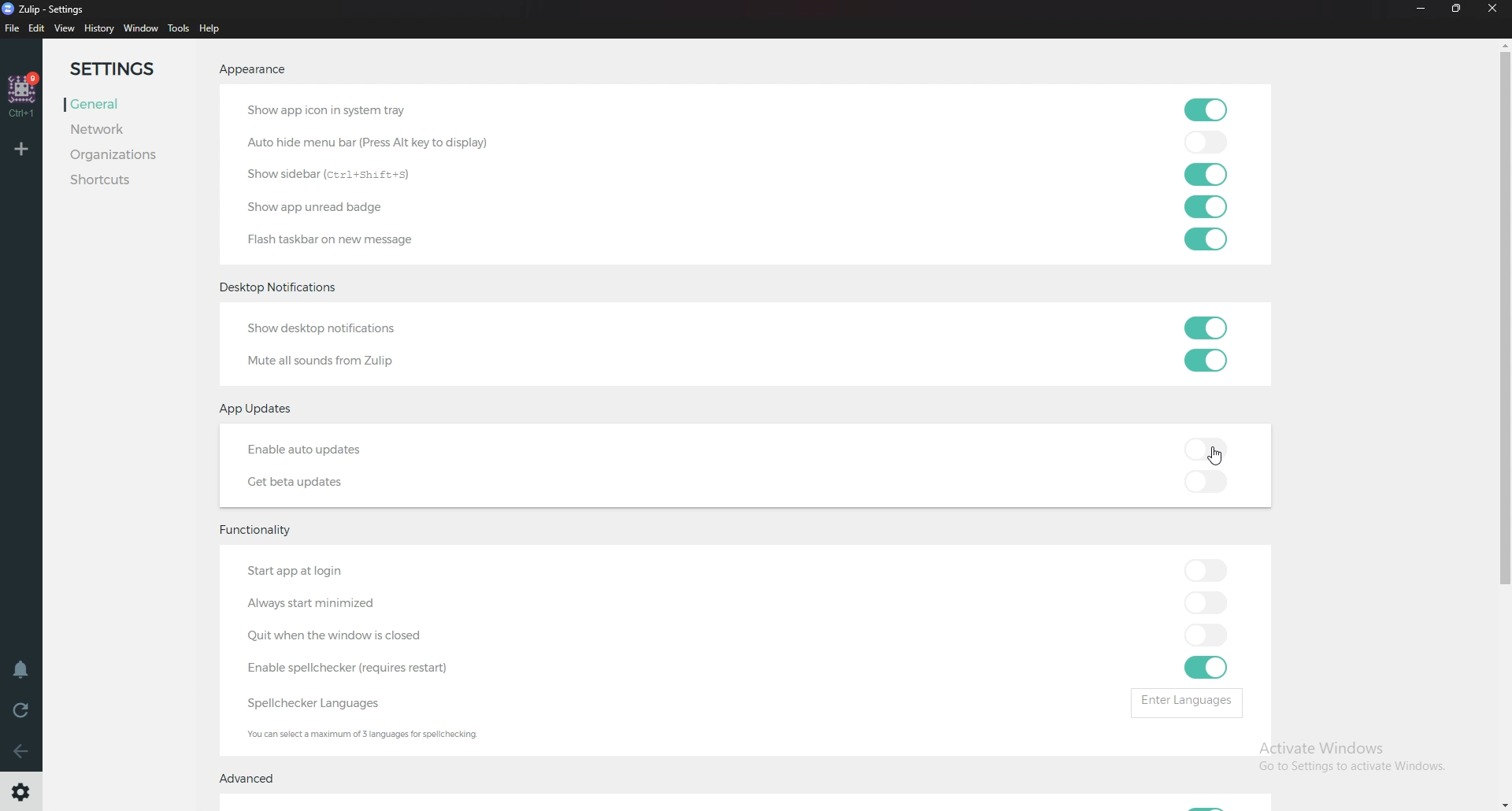 Image resolution: width=1512 pixels, height=811 pixels. Describe the element at coordinates (336, 172) in the screenshot. I see `Show sidebar` at that location.